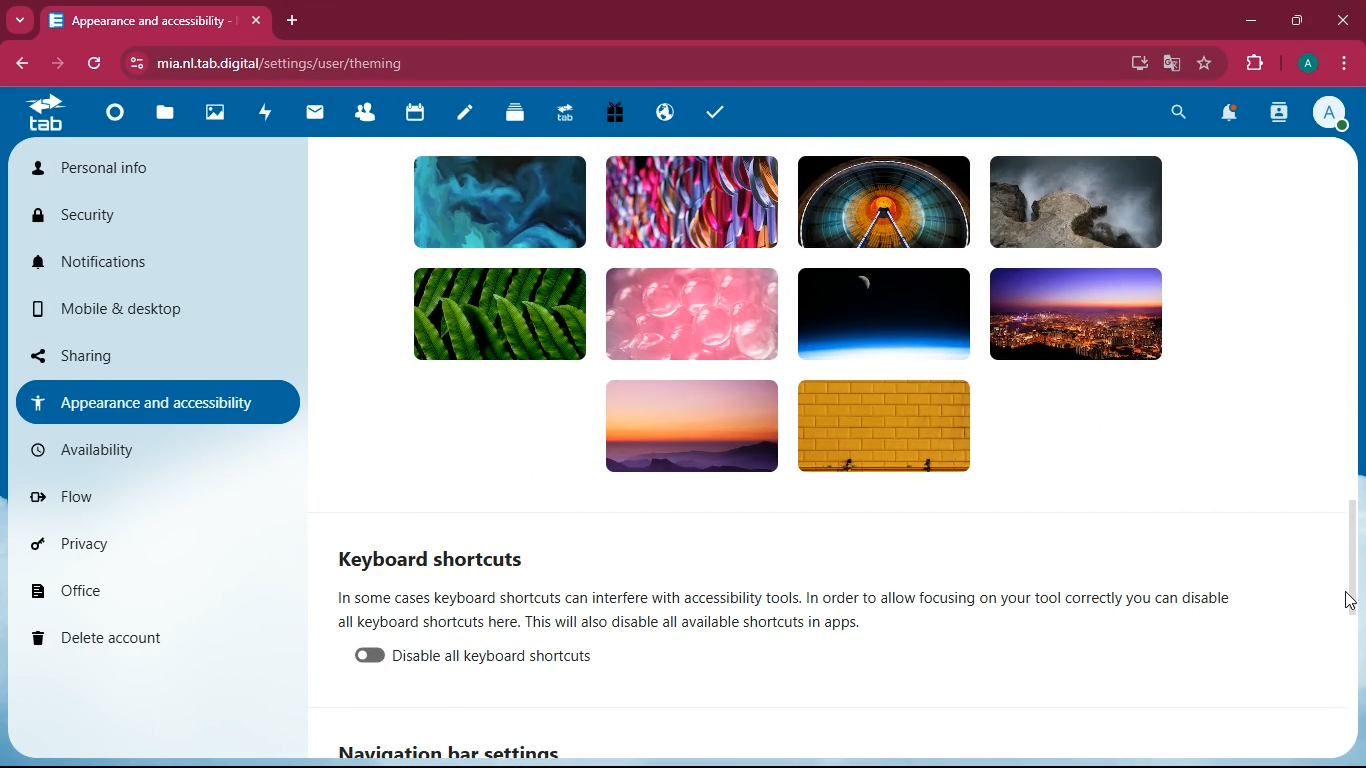  Describe the element at coordinates (616, 112) in the screenshot. I see `gift` at that location.